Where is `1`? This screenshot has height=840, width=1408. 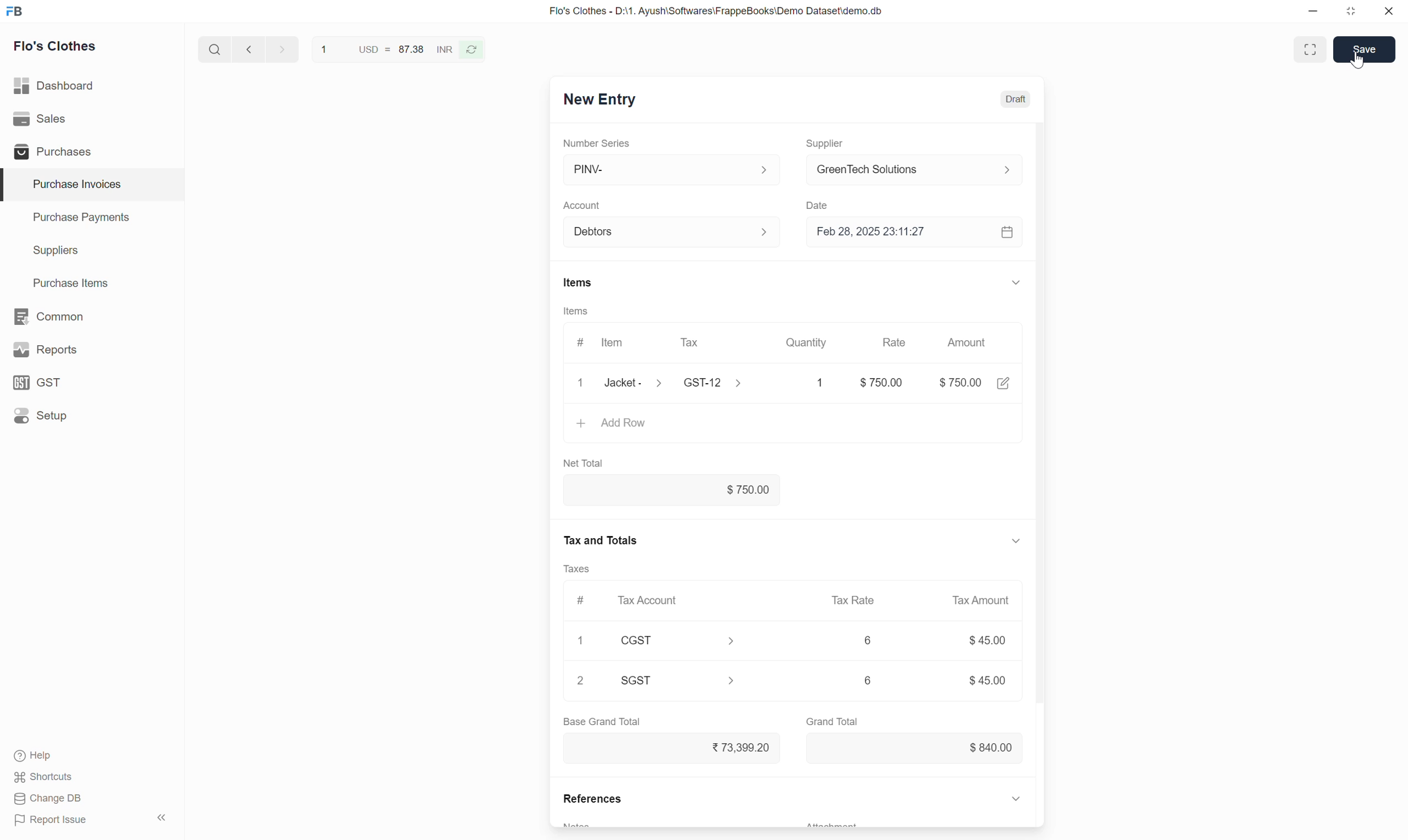
1 is located at coordinates (810, 383).